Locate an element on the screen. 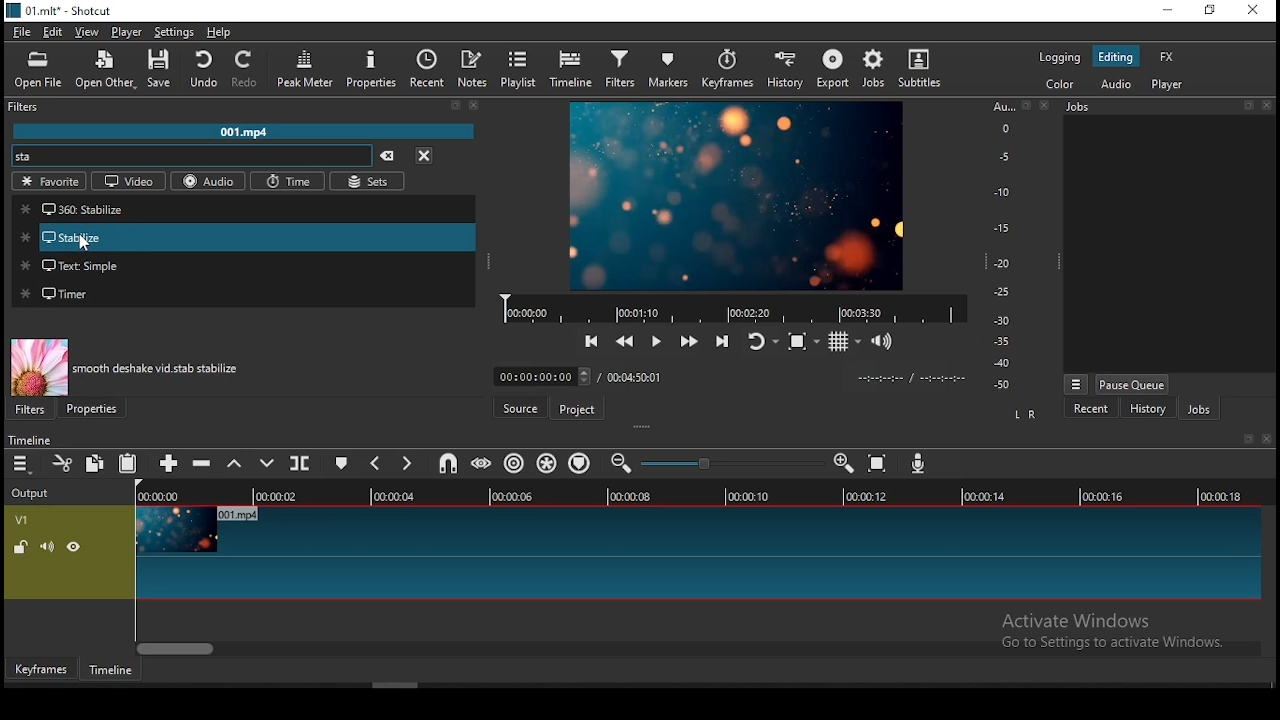  y axis is located at coordinates (998, 248).